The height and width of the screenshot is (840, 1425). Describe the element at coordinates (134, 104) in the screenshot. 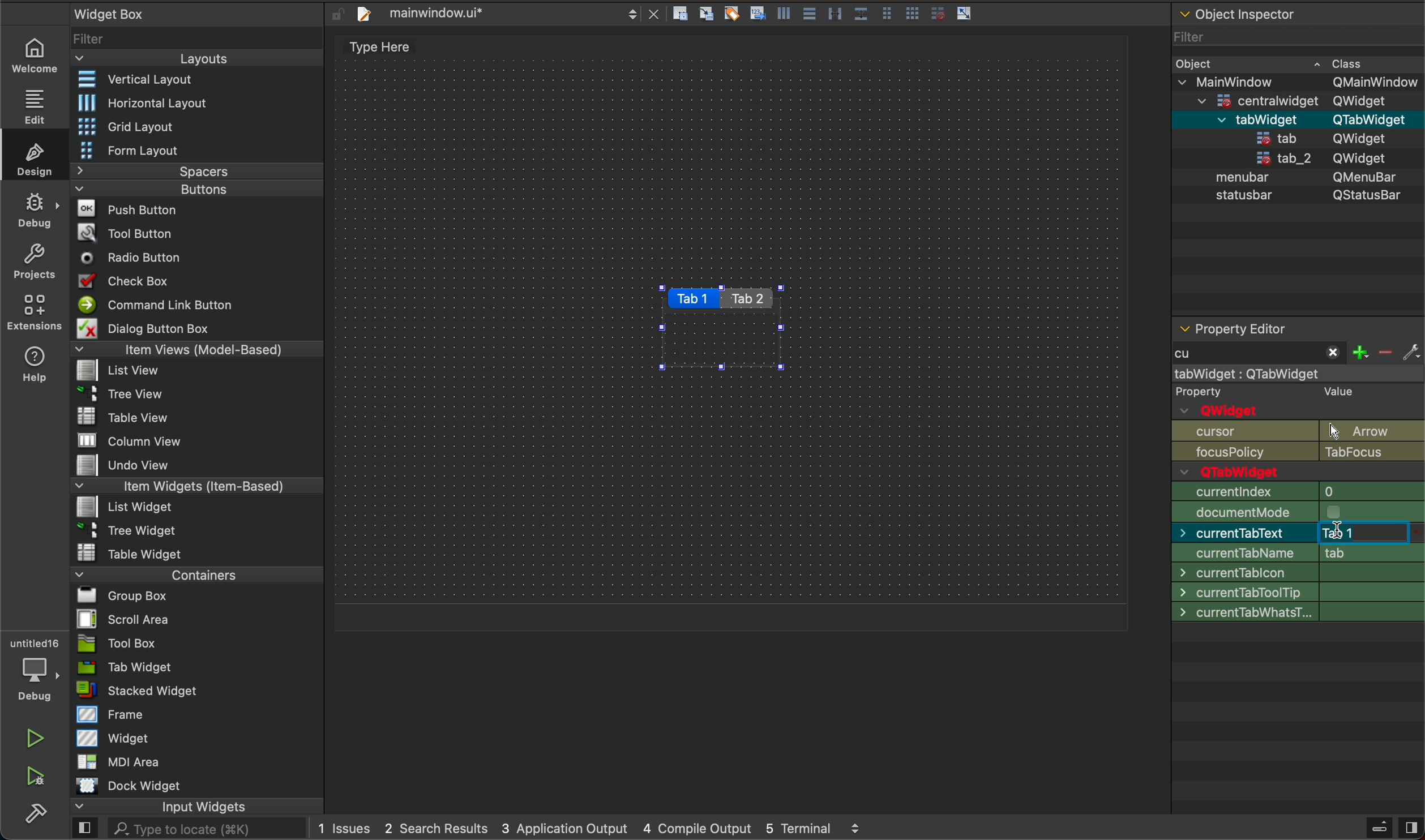

I see `Horizontal Layout` at that location.